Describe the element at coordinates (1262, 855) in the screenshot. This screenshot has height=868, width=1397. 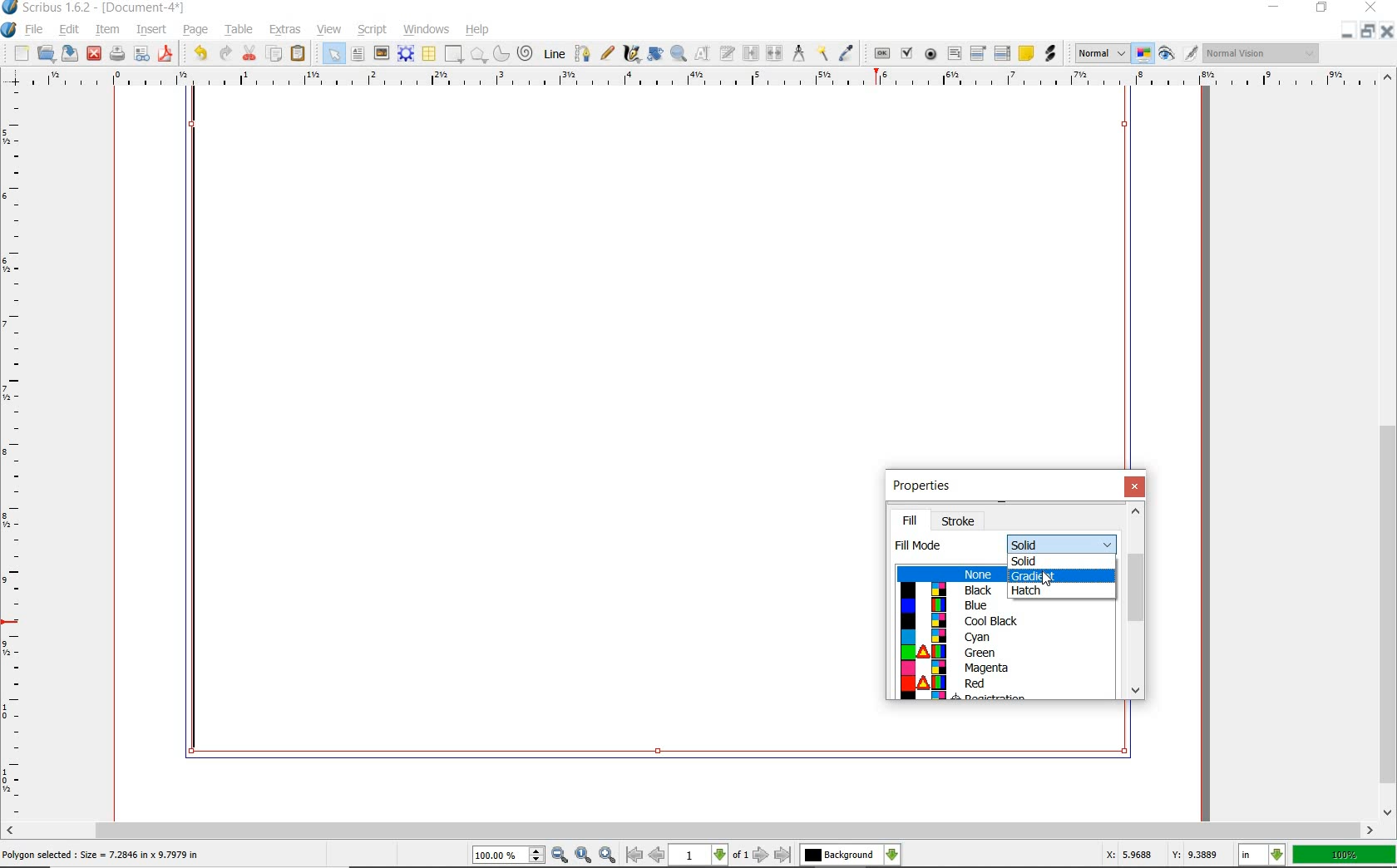
I see `in` at that location.